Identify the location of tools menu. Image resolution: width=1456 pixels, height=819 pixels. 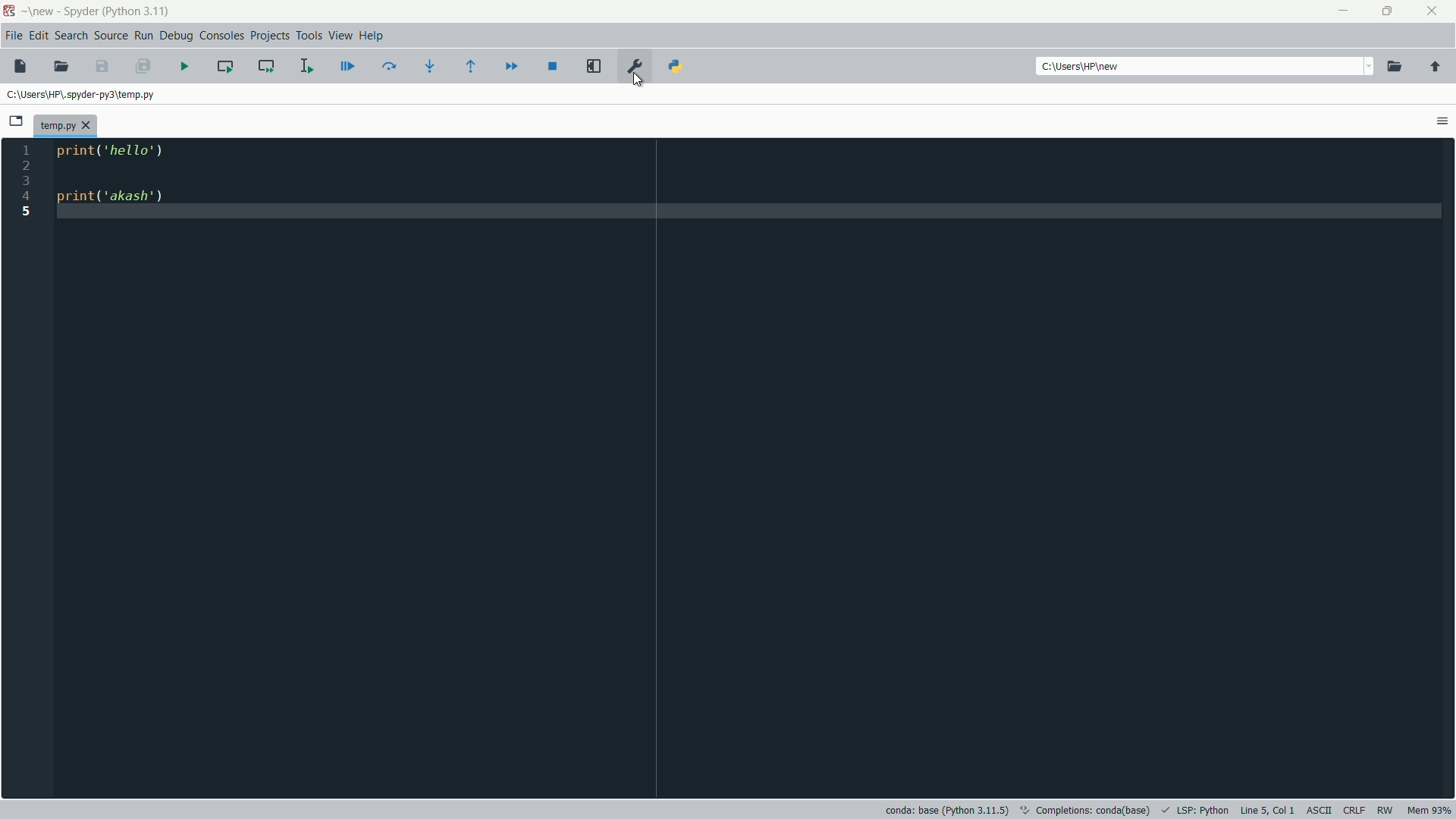
(308, 36).